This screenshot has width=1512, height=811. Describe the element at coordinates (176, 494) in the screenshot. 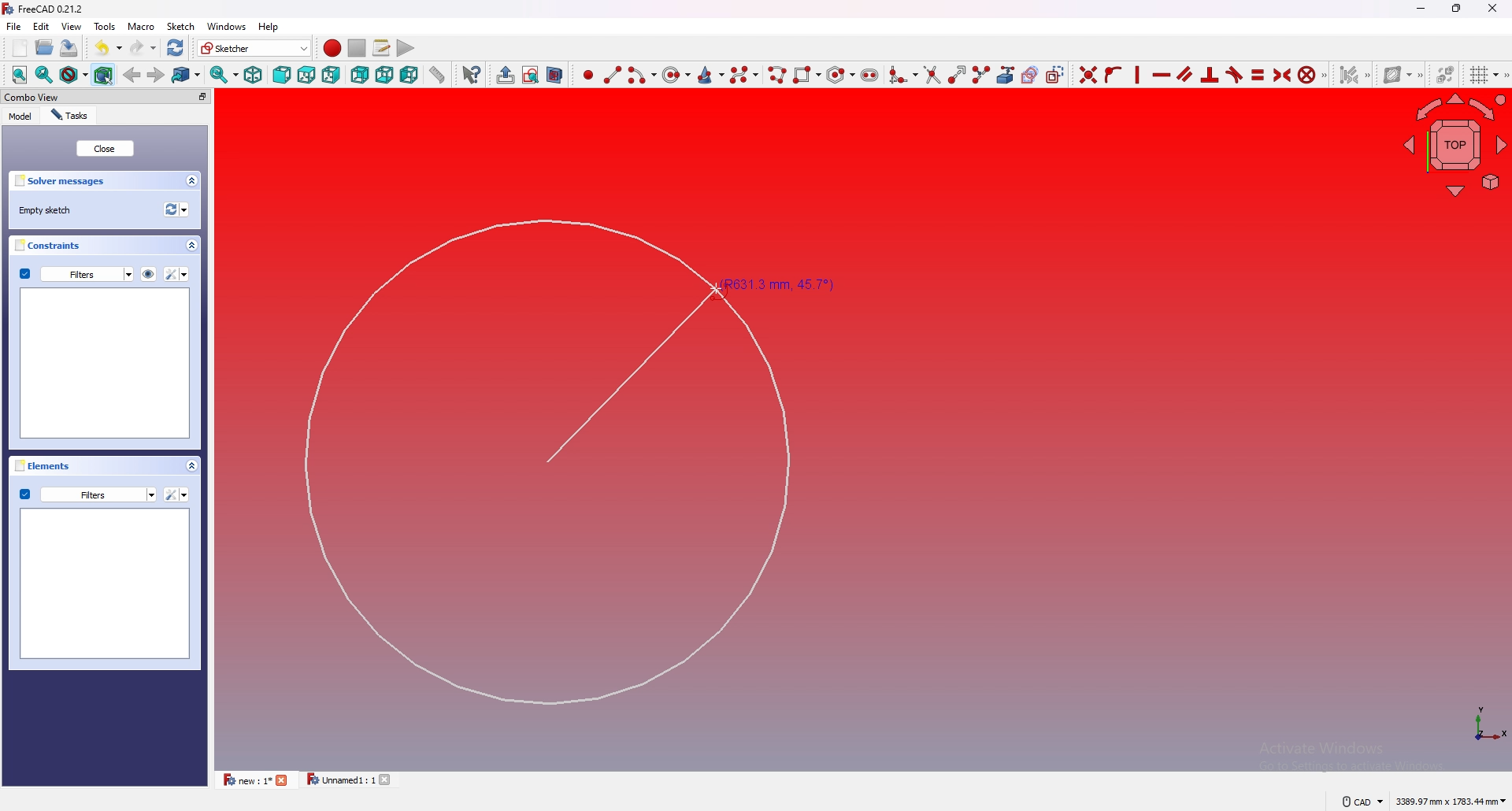

I see `settings` at that location.